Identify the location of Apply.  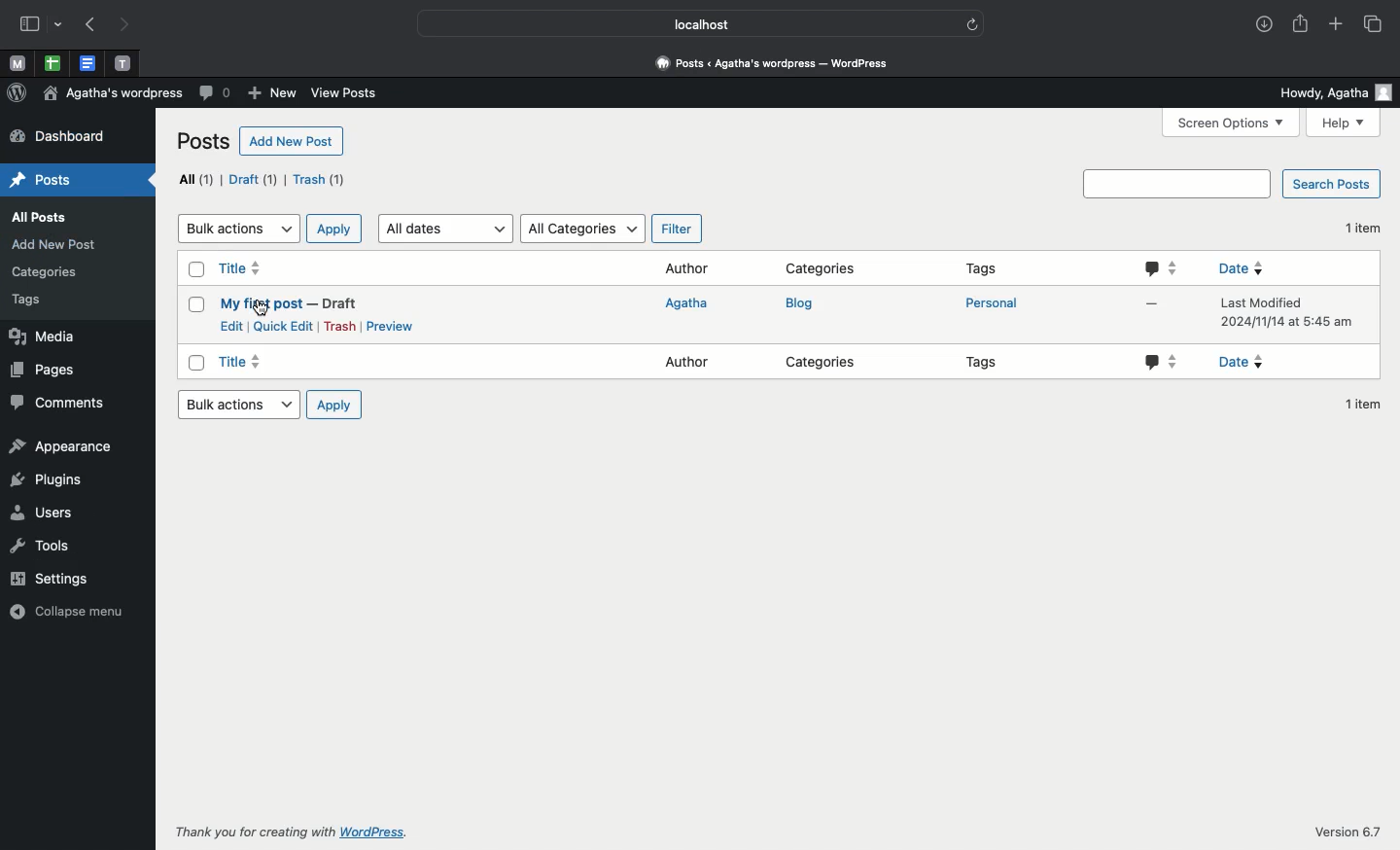
(333, 229).